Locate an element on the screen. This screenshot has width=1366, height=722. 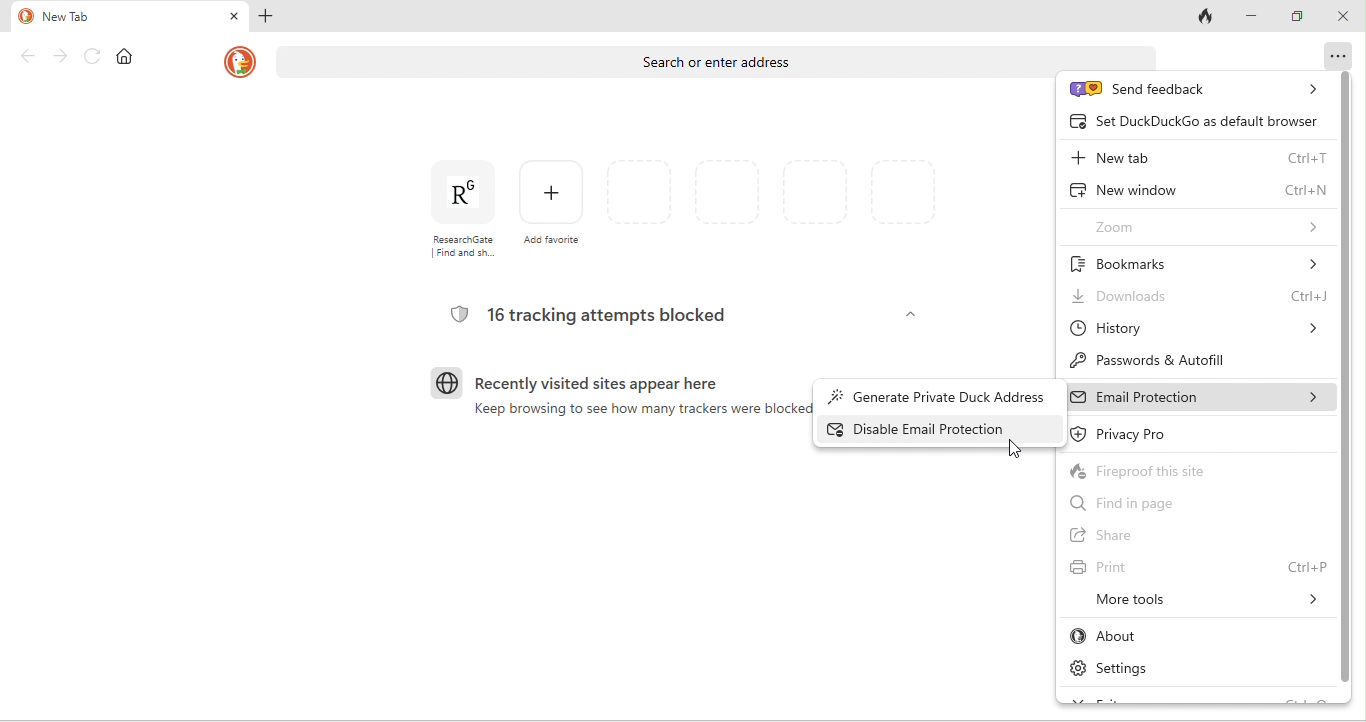
track tab is located at coordinates (1203, 17).